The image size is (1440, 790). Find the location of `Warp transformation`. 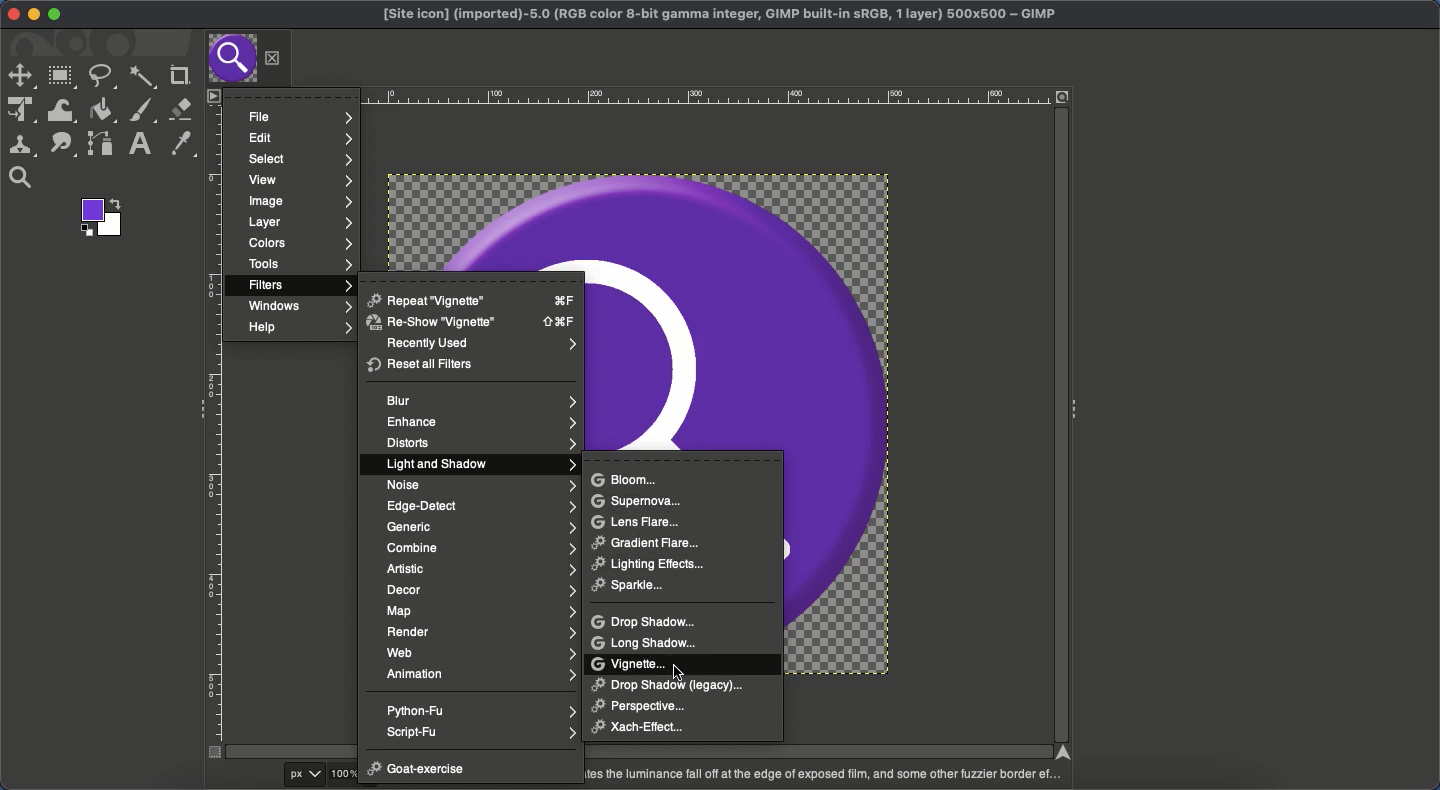

Warp transformation is located at coordinates (62, 110).